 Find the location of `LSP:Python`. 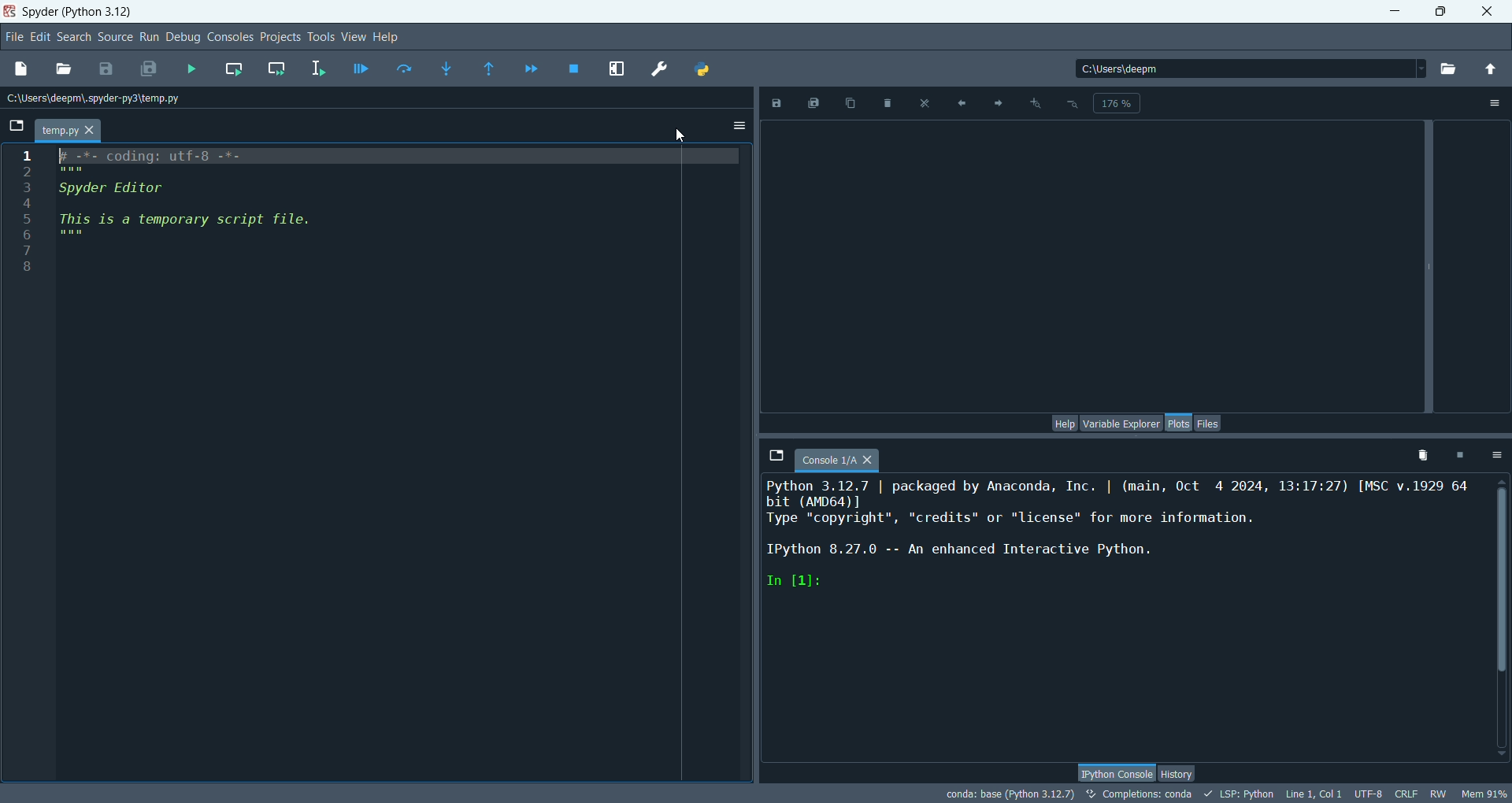

LSP:Python is located at coordinates (1240, 794).